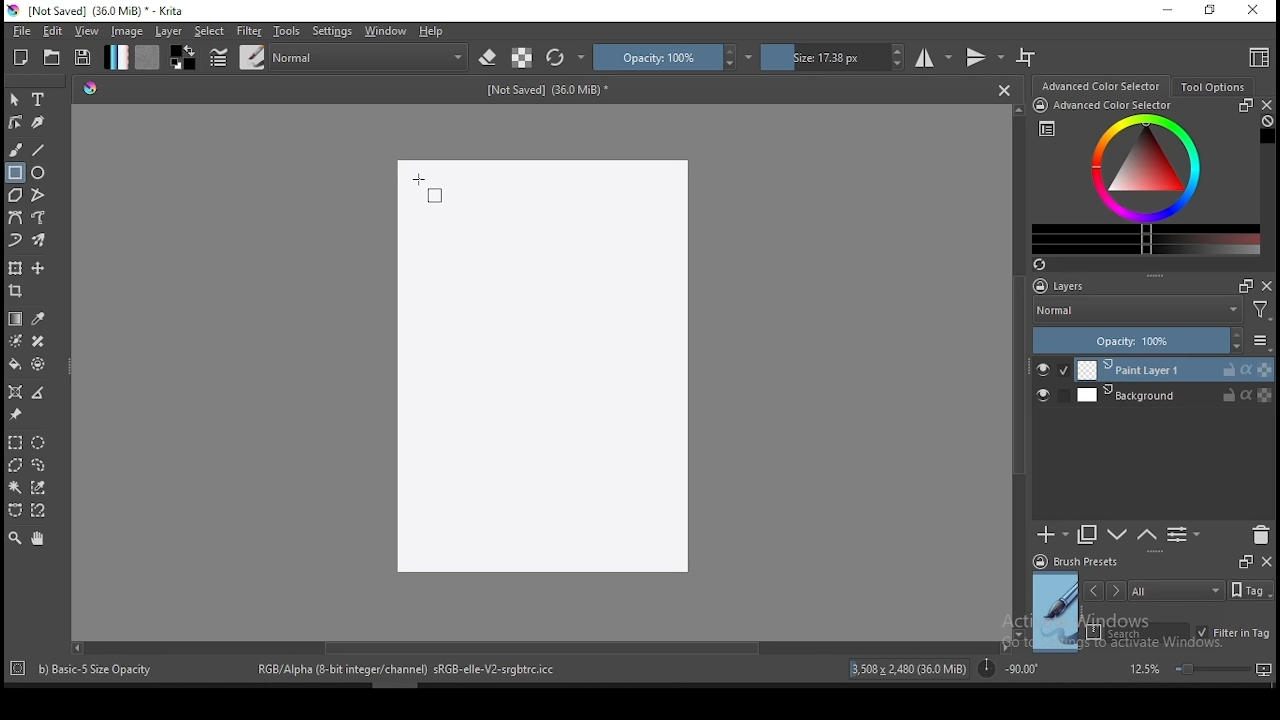  What do you see at coordinates (539, 646) in the screenshot?
I see `scroll bar` at bounding box center [539, 646].